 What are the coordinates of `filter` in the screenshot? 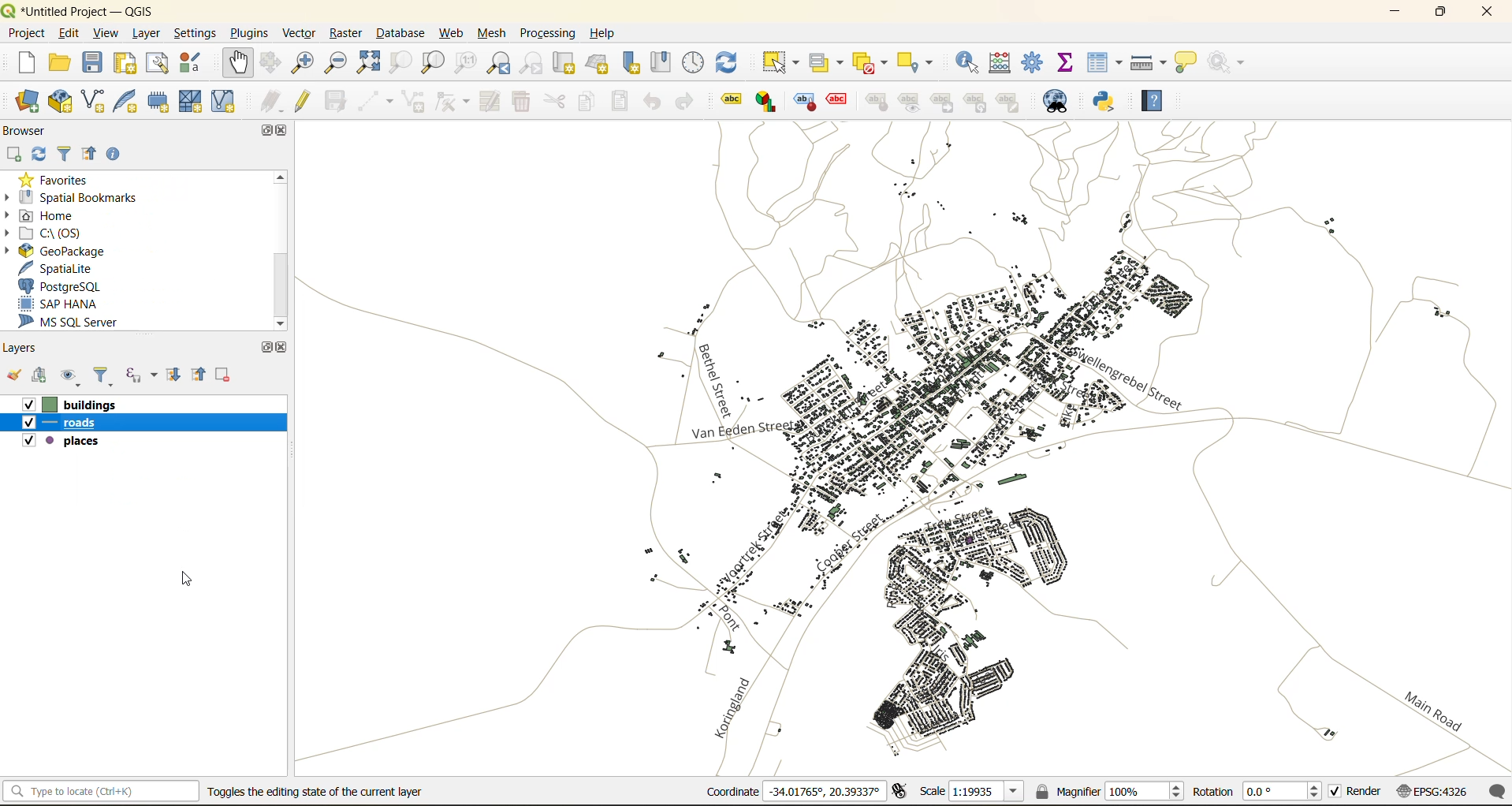 It's located at (66, 154).